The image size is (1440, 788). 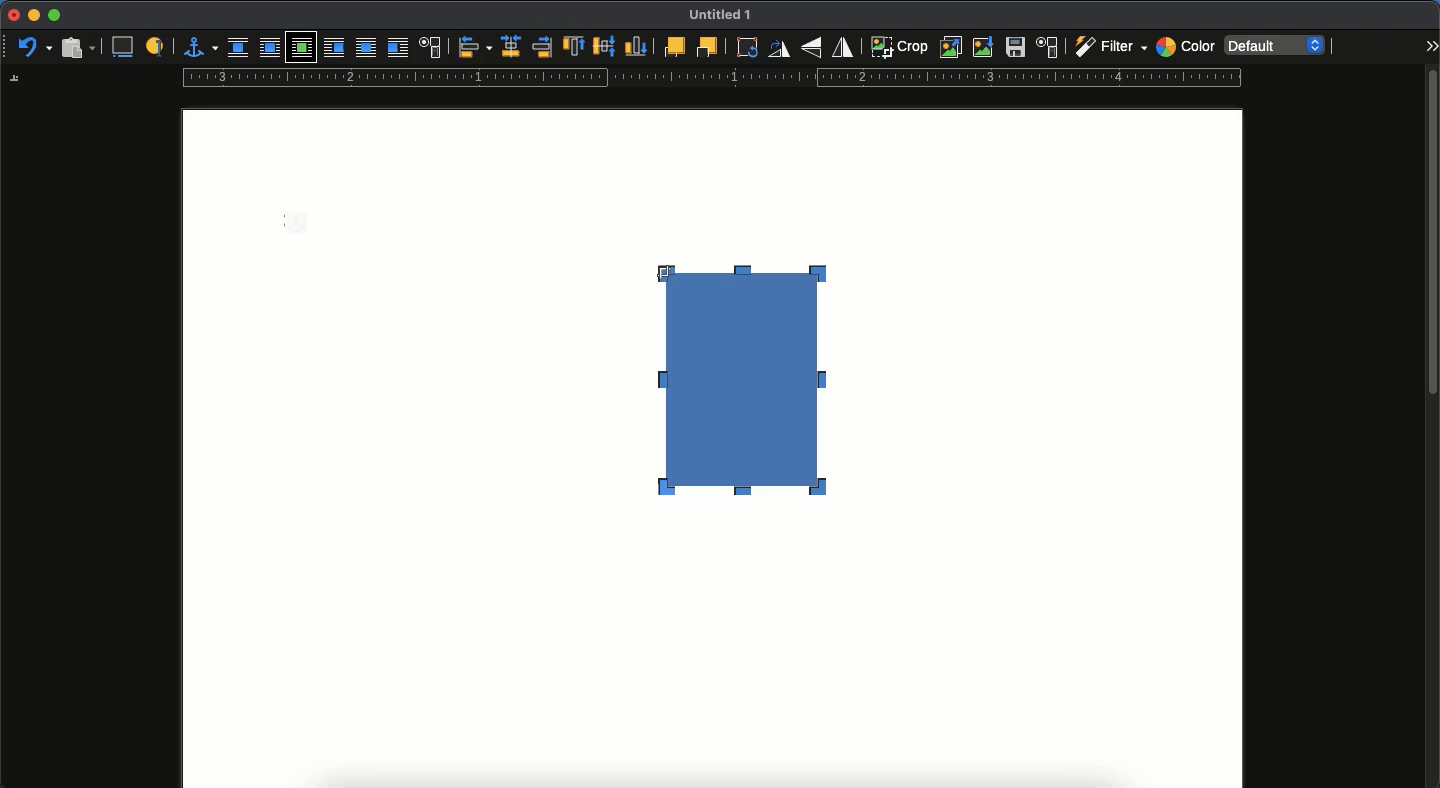 I want to click on minimize, so click(x=33, y=15).